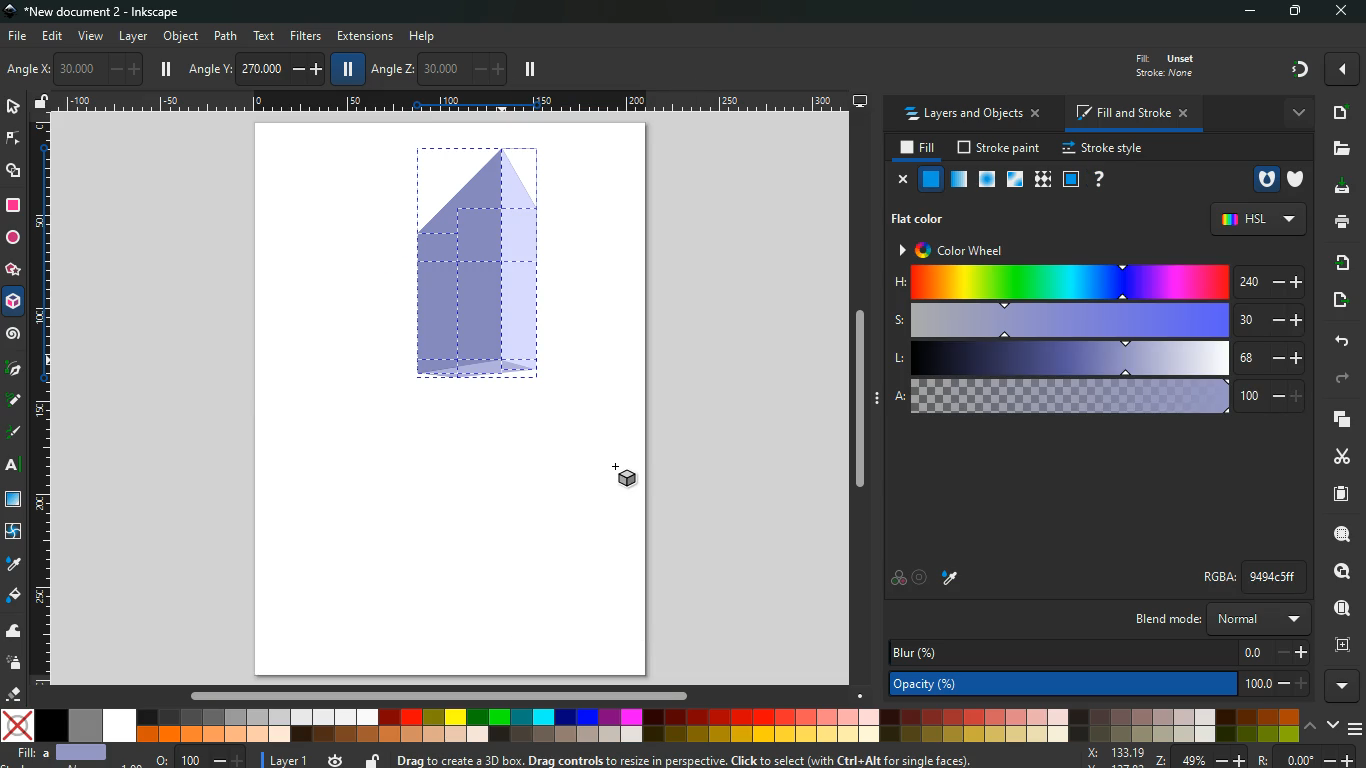 The height and width of the screenshot is (768, 1366). I want to click on highlight, so click(14, 434).